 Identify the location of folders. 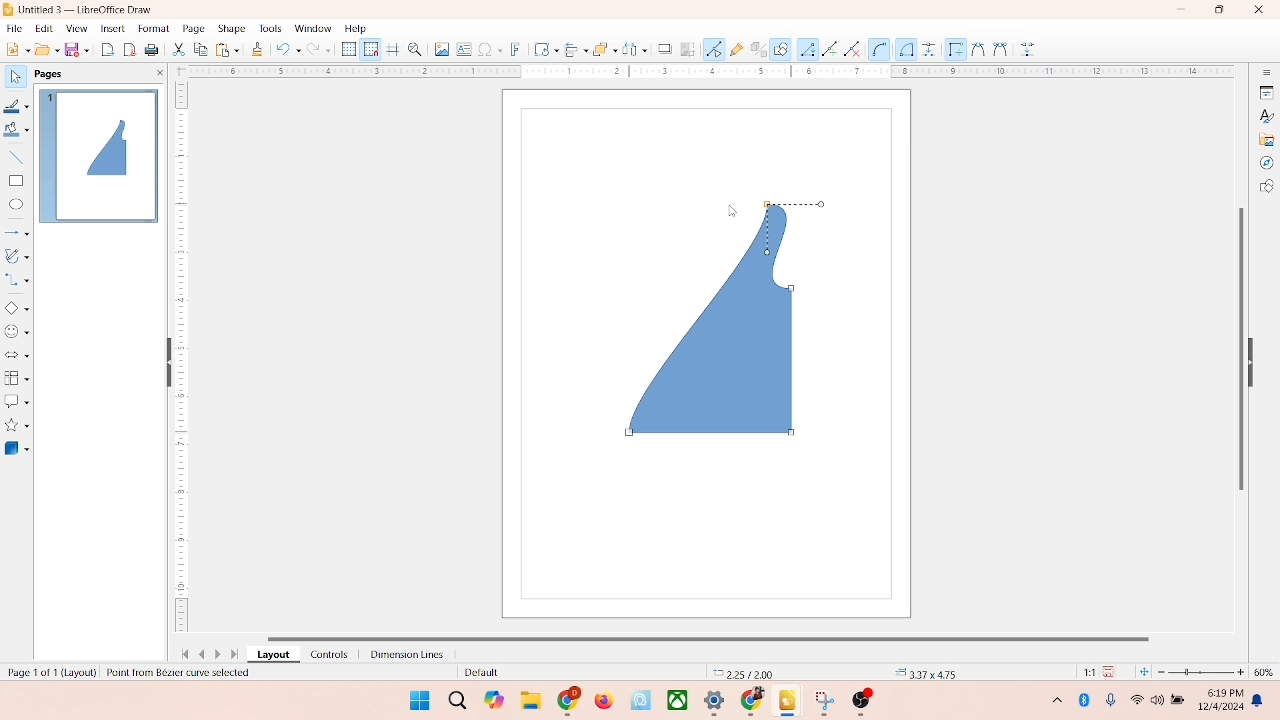
(530, 698).